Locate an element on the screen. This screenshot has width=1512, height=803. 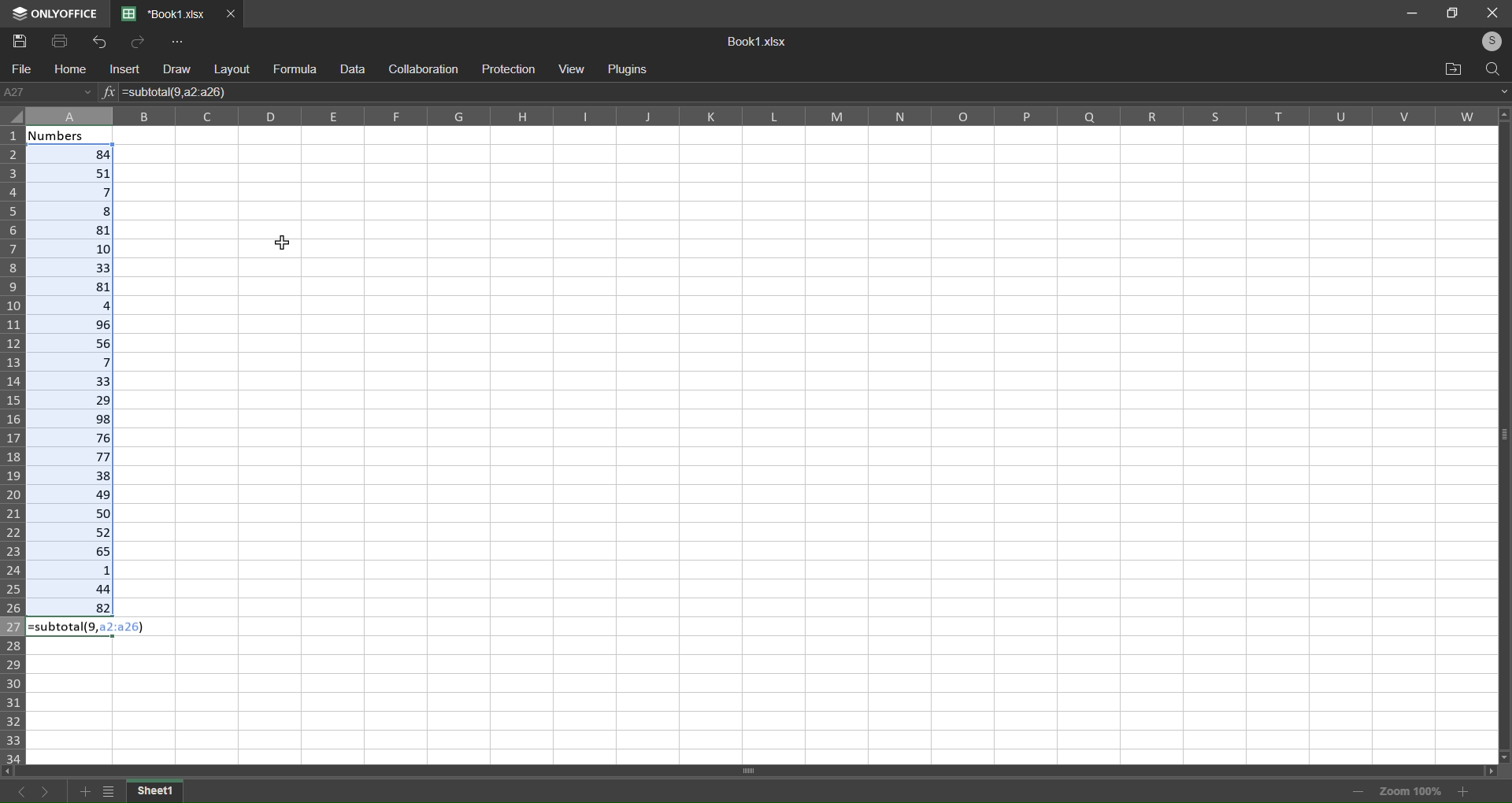
add sheet is located at coordinates (85, 791).